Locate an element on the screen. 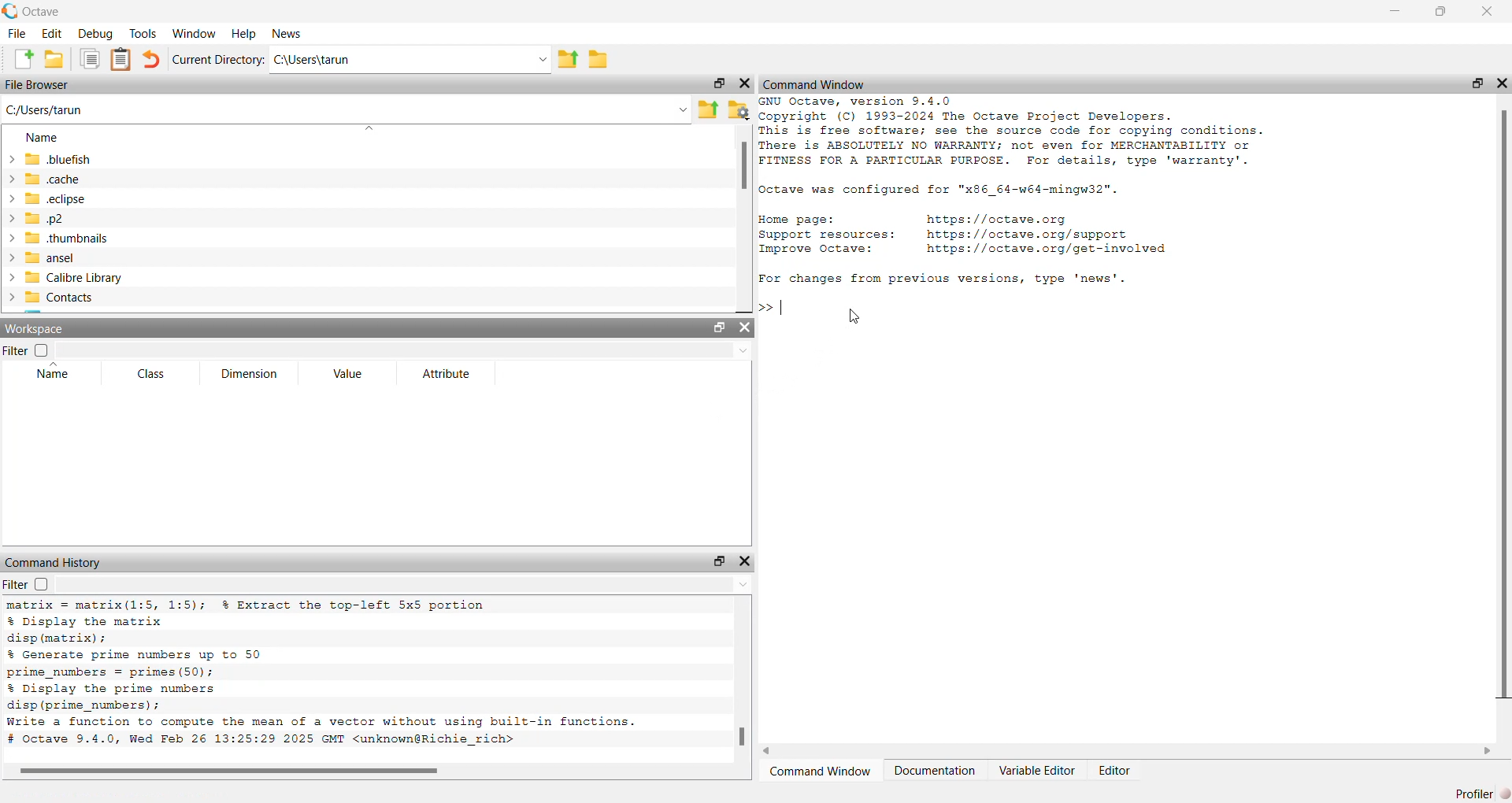 The image size is (1512, 803). share folder is located at coordinates (709, 110).